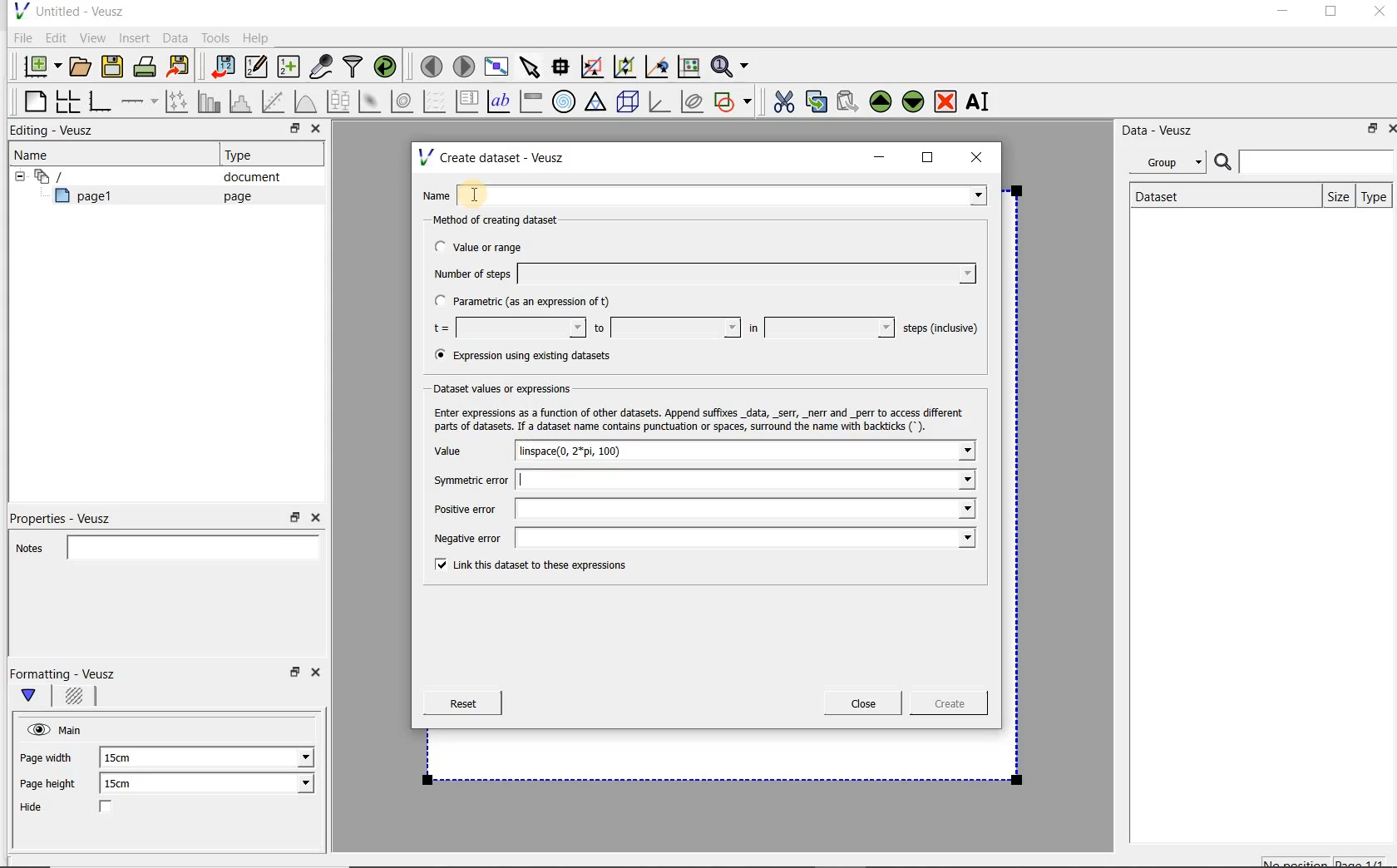 This screenshot has width=1397, height=868. What do you see at coordinates (1368, 131) in the screenshot?
I see `restore down` at bounding box center [1368, 131].